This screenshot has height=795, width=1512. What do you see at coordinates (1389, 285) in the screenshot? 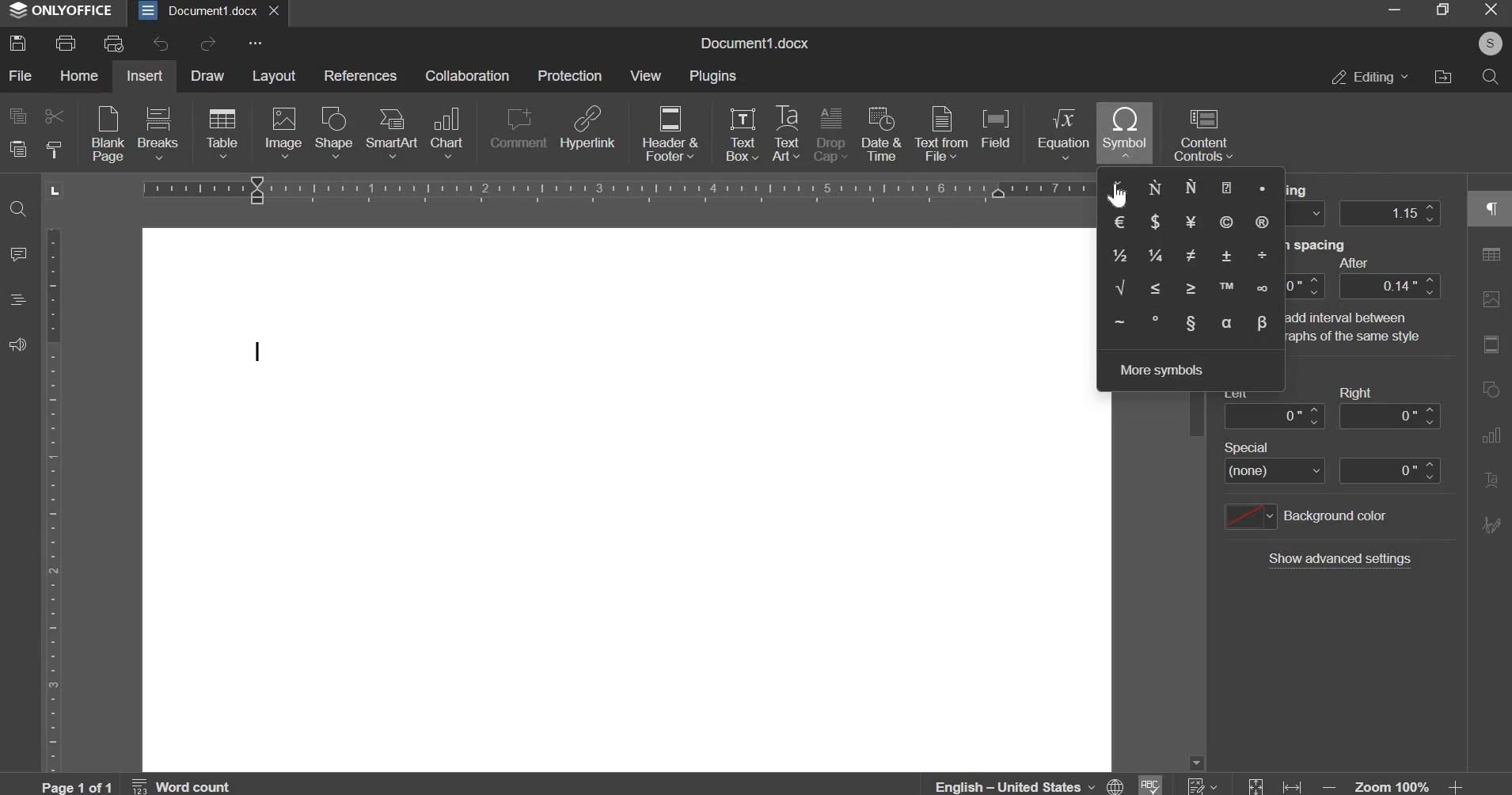
I see `paragraph spacing` at bounding box center [1389, 285].